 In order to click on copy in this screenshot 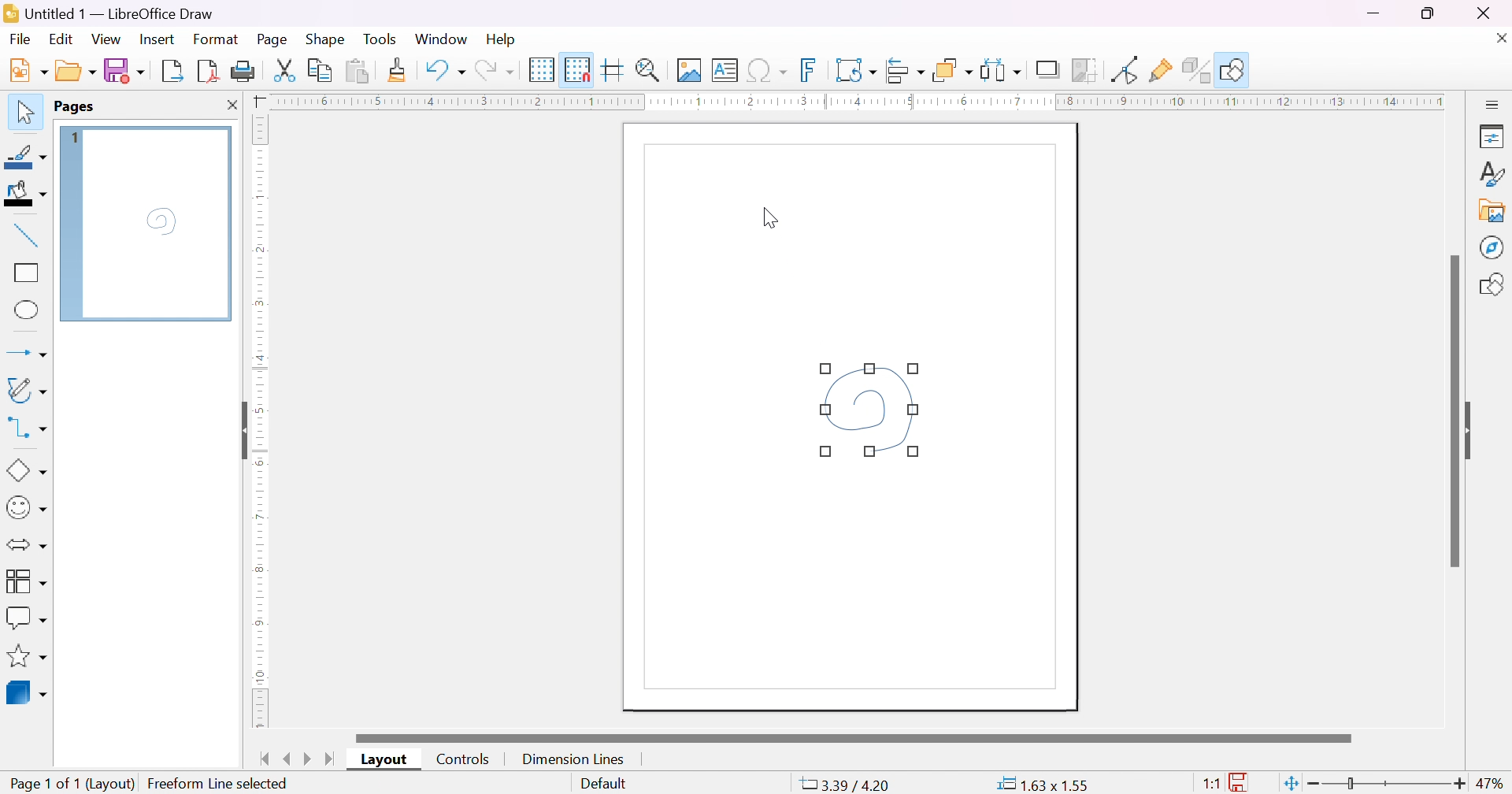, I will do `click(321, 70)`.